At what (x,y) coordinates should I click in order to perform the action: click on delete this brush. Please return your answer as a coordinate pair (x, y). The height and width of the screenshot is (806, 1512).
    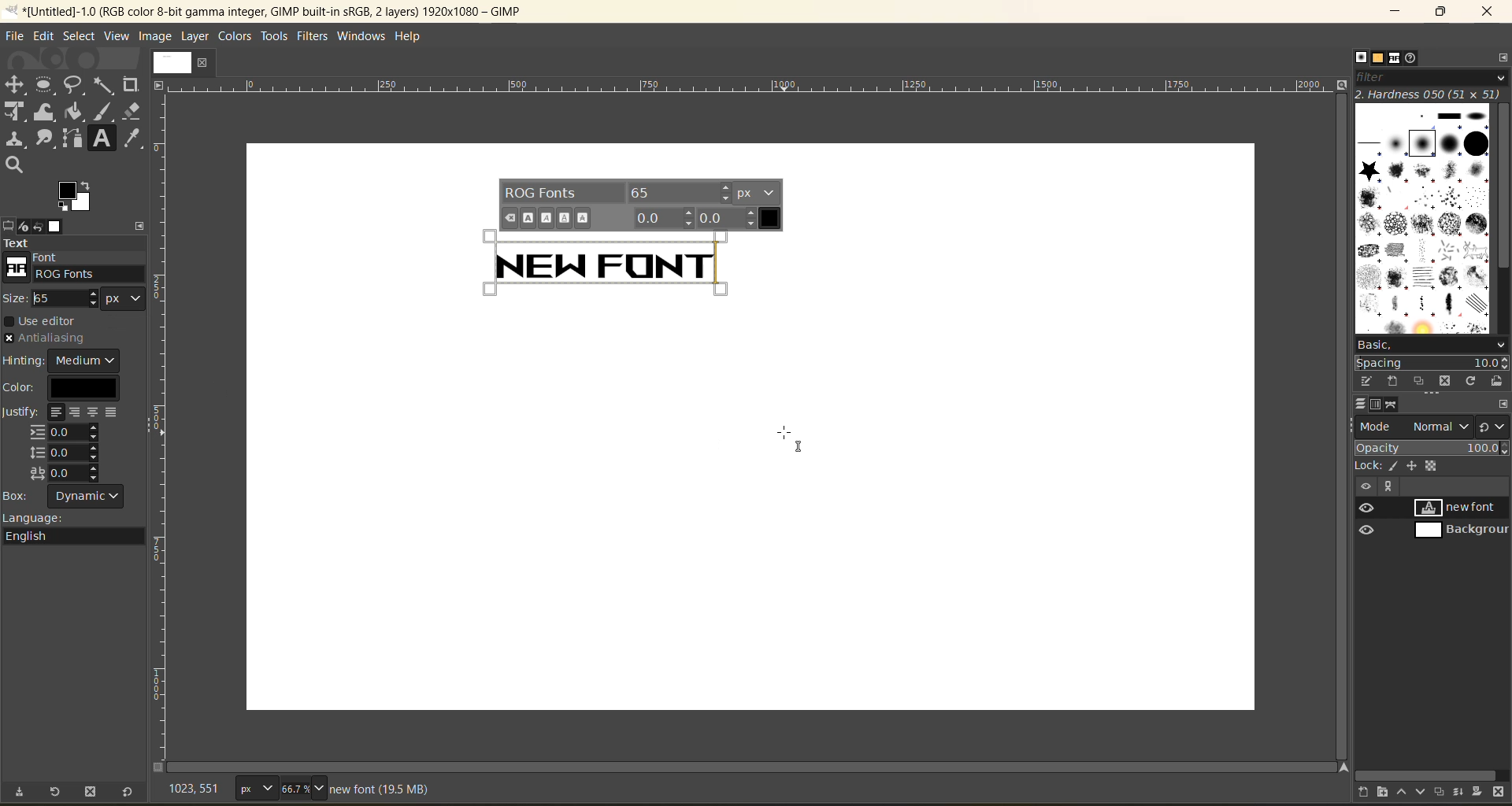
    Looking at the image, I should click on (1444, 383).